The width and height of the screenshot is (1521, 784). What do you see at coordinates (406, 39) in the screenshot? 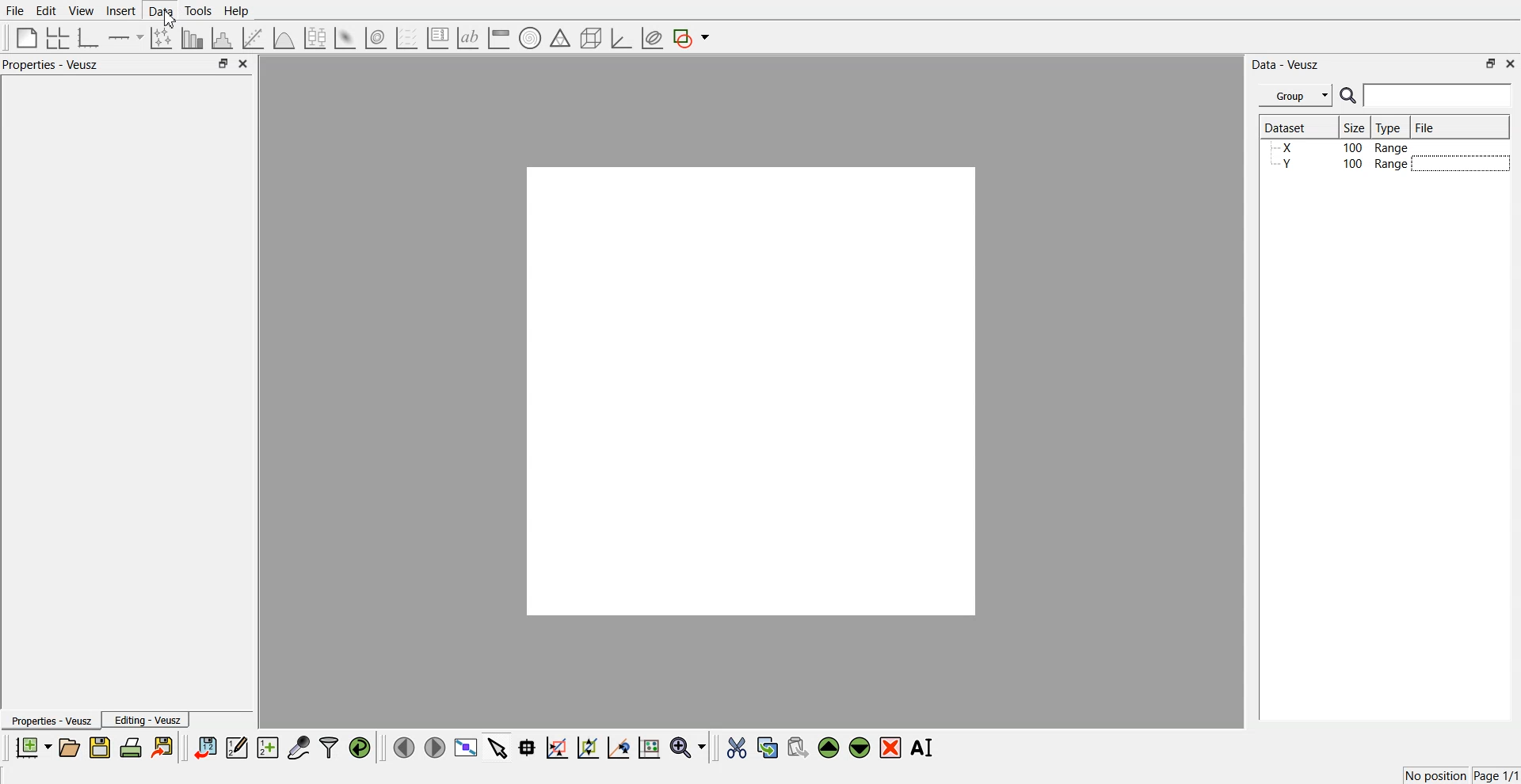
I see `Plot a vector field` at bounding box center [406, 39].